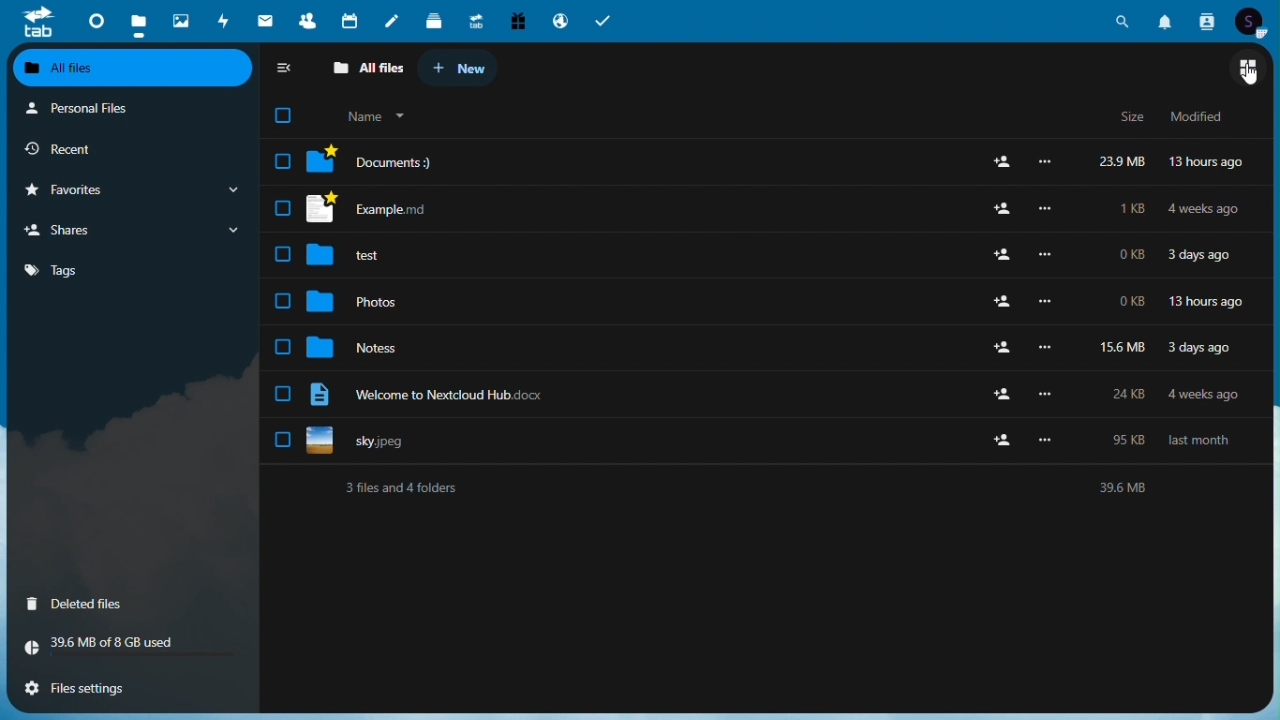 The image size is (1280, 720). What do you see at coordinates (283, 161) in the screenshot?
I see `check box` at bounding box center [283, 161].